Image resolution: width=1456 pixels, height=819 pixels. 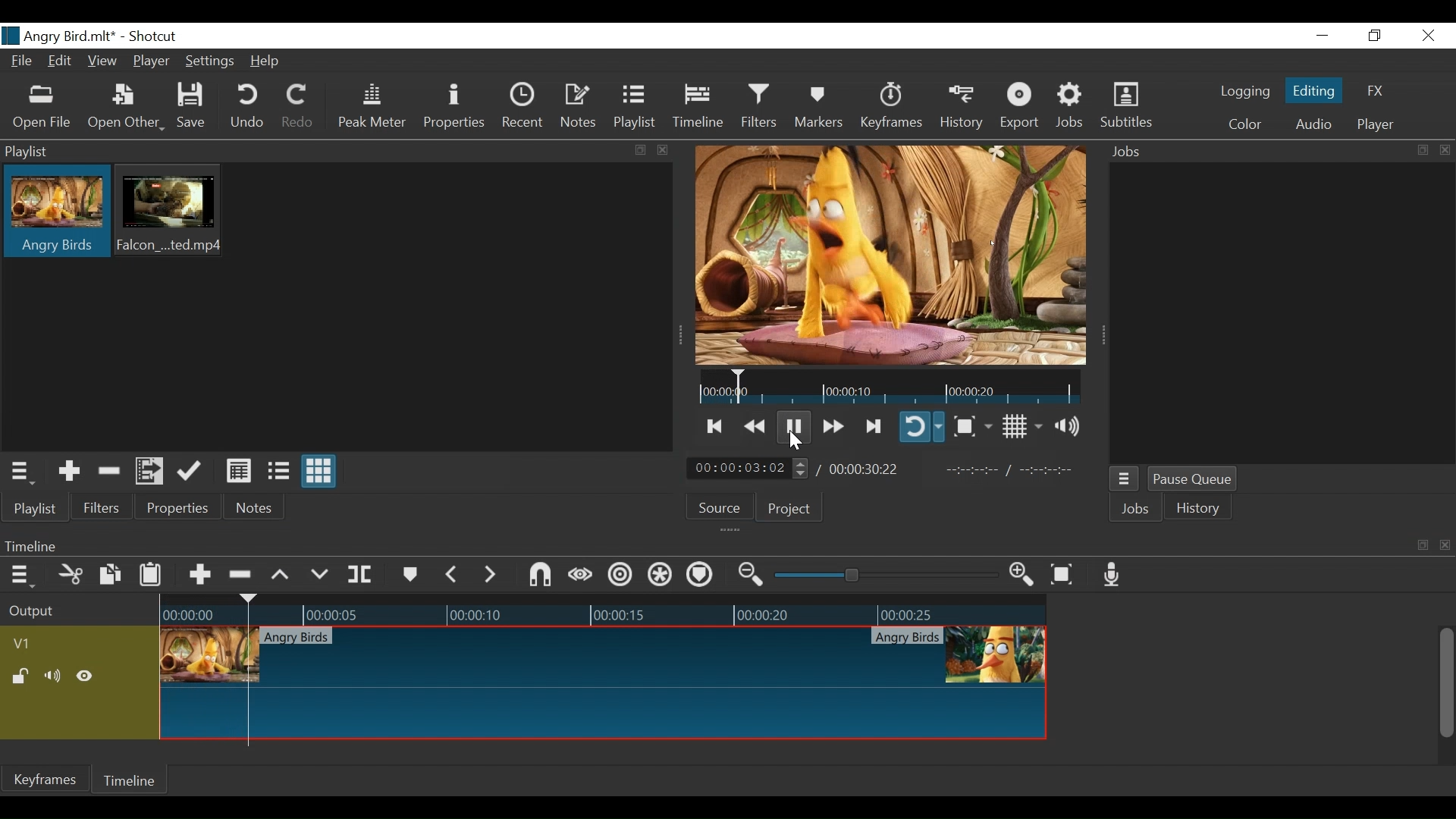 What do you see at coordinates (281, 574) in the screenshot?
I see `Lift` at bounding box center [281, 574].